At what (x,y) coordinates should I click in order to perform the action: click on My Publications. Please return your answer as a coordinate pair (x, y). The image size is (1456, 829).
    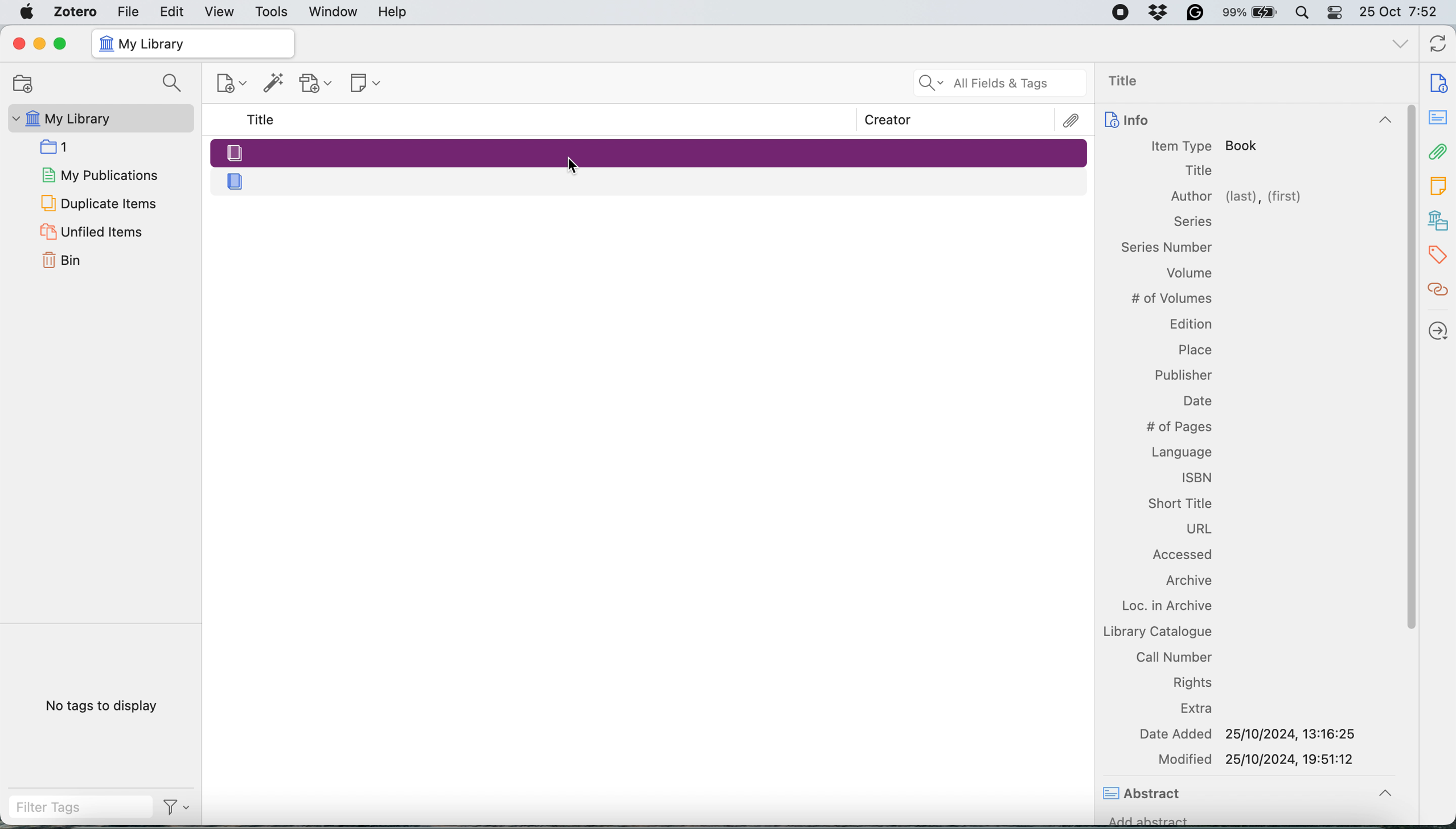
    Looking at the image, I should click on (99, 173).